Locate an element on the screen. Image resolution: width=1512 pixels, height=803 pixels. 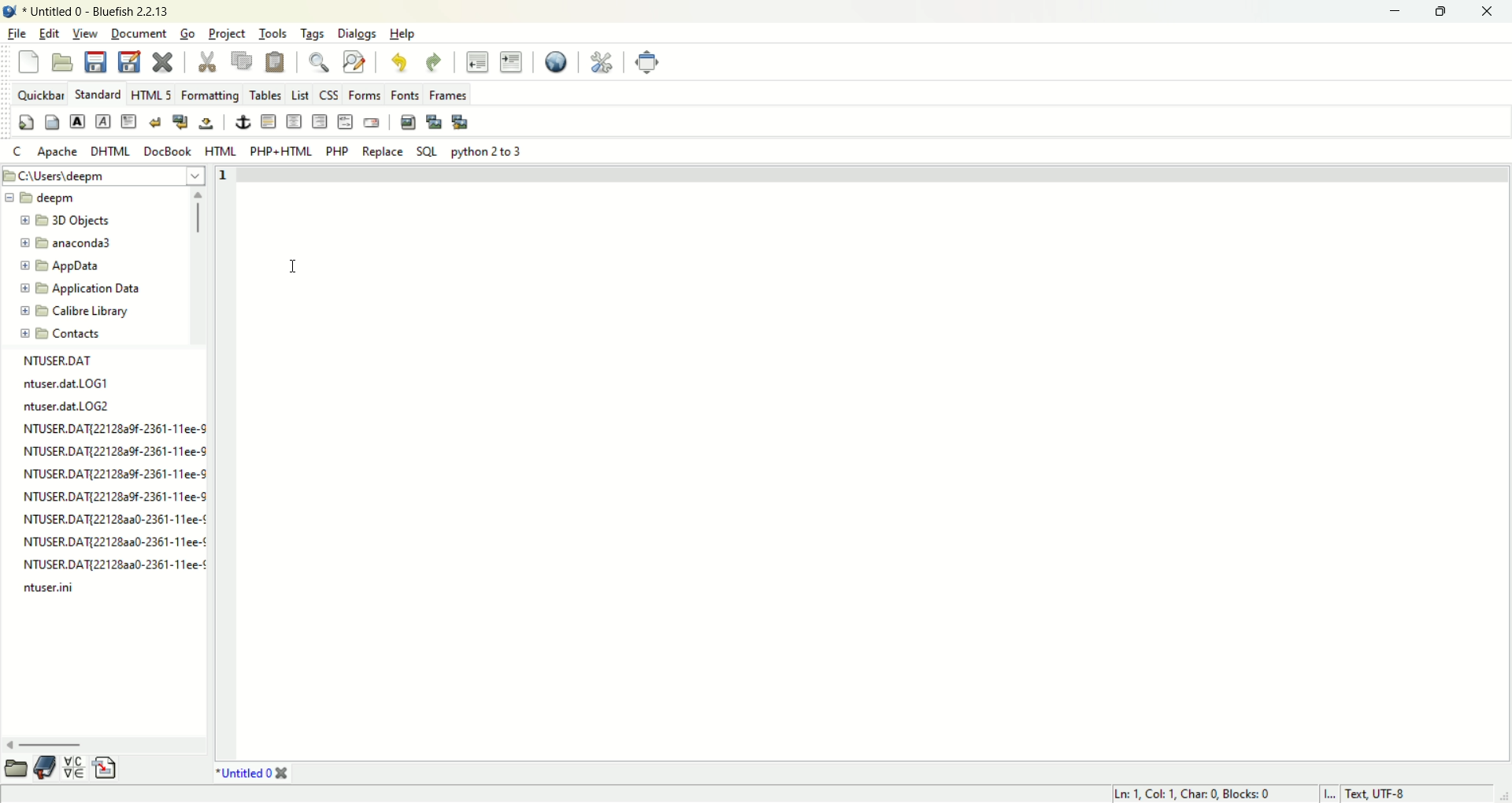
forms is located at coordinates (361, 93).